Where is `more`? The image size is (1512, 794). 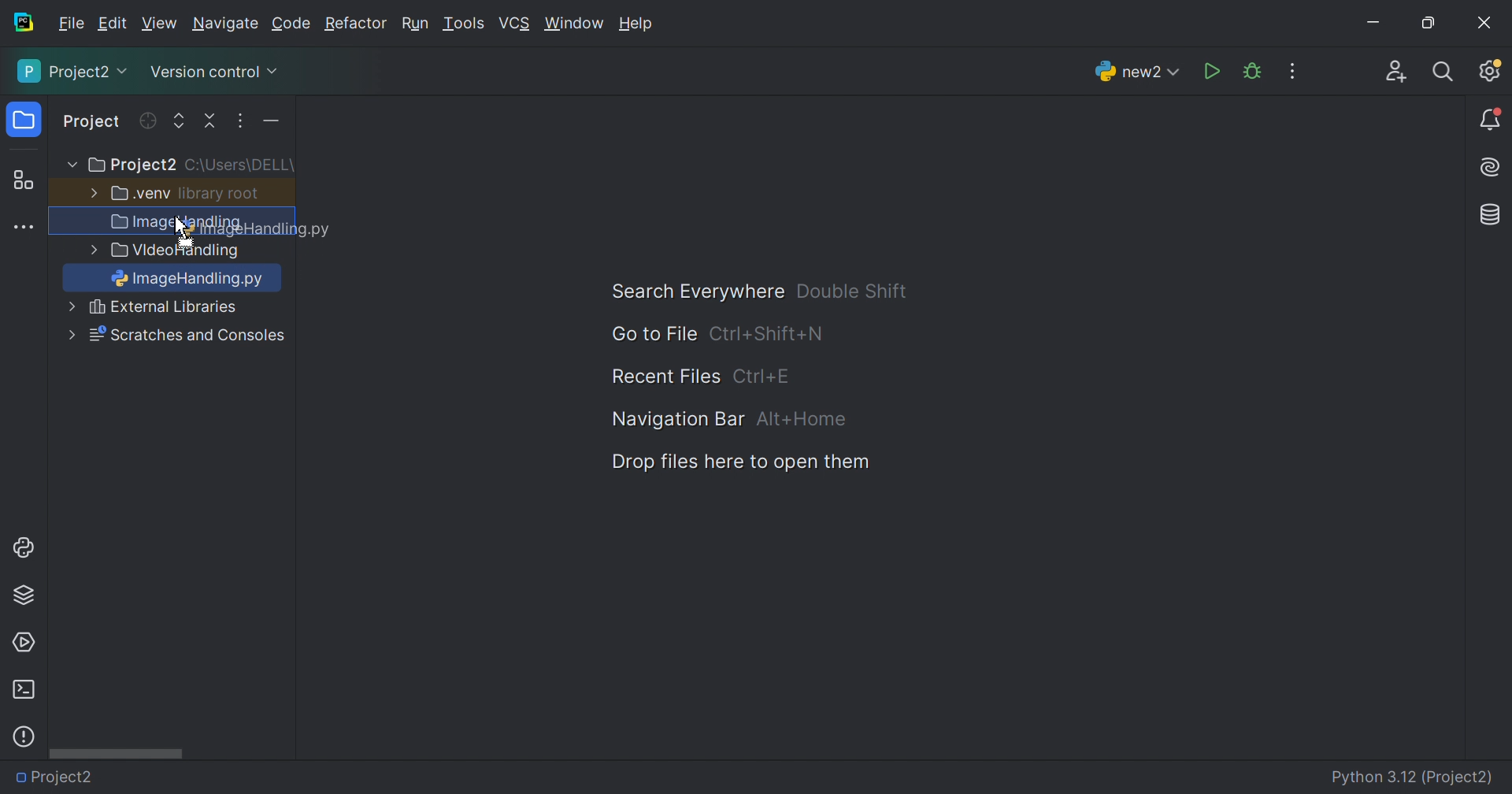 more is located at coordinates (89, 250).